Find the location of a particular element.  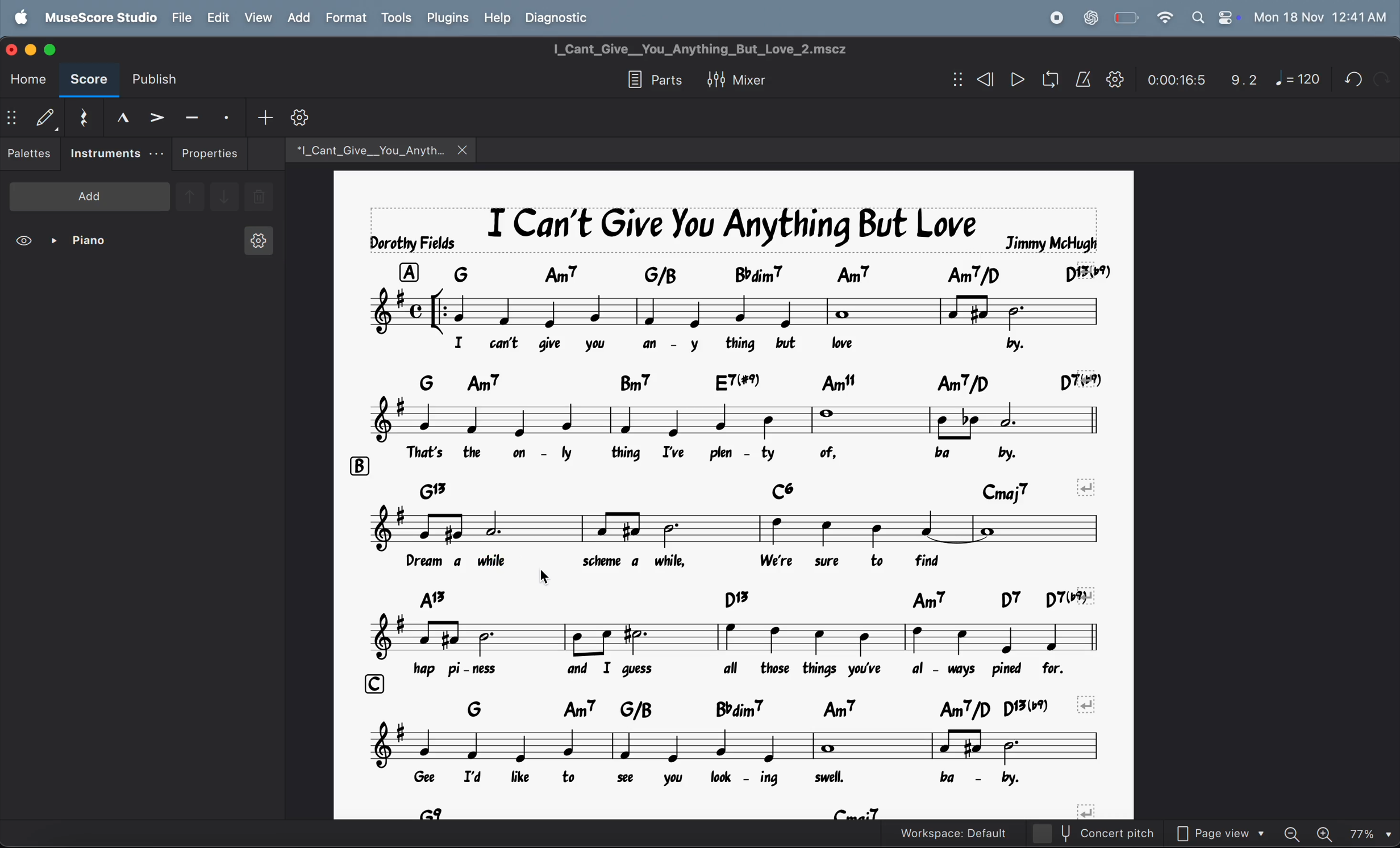

cursor is located at coordinates (550, 577).